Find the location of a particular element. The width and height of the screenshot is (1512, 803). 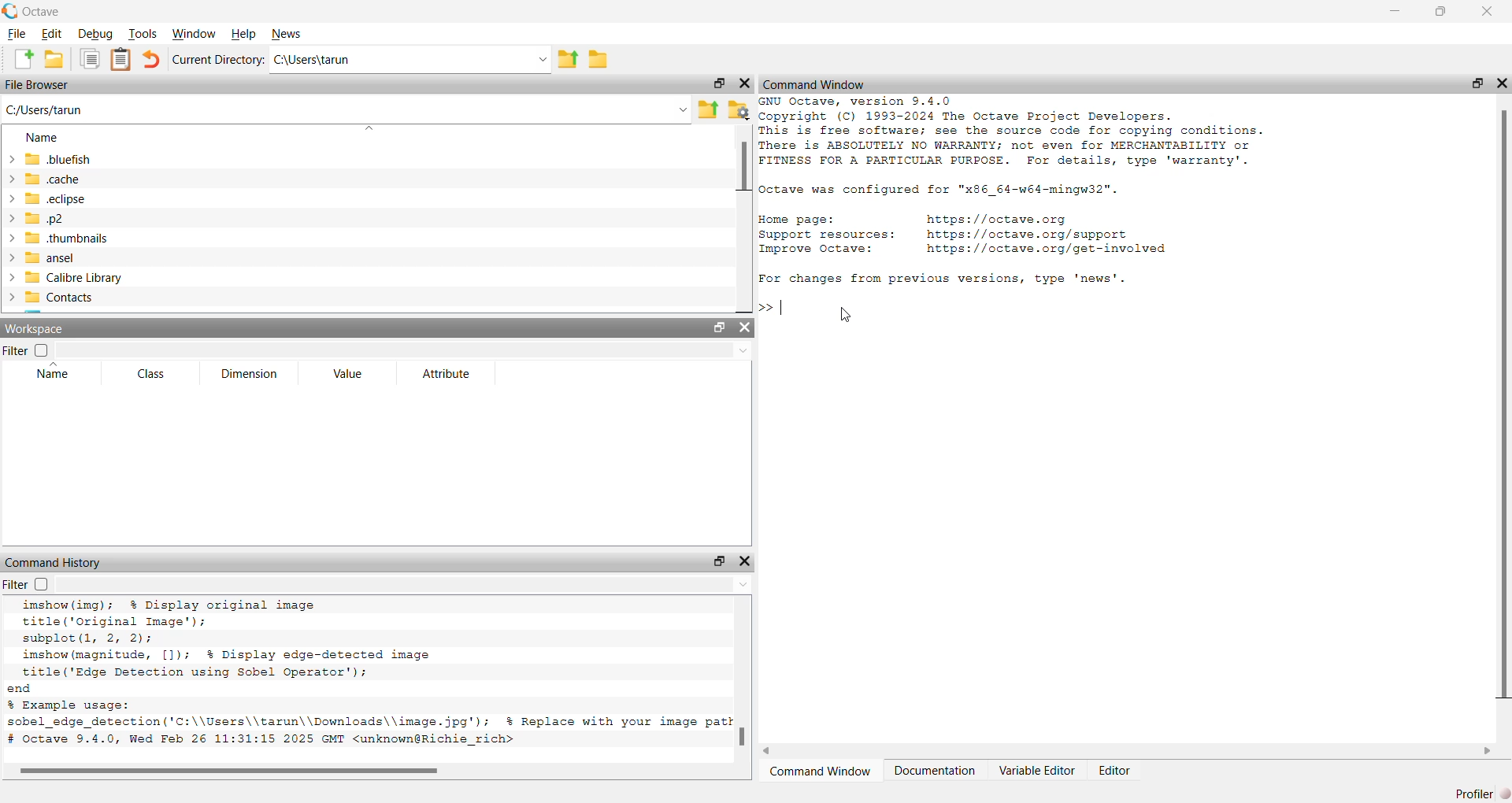

checkbox is located at coordinates (44, 585).